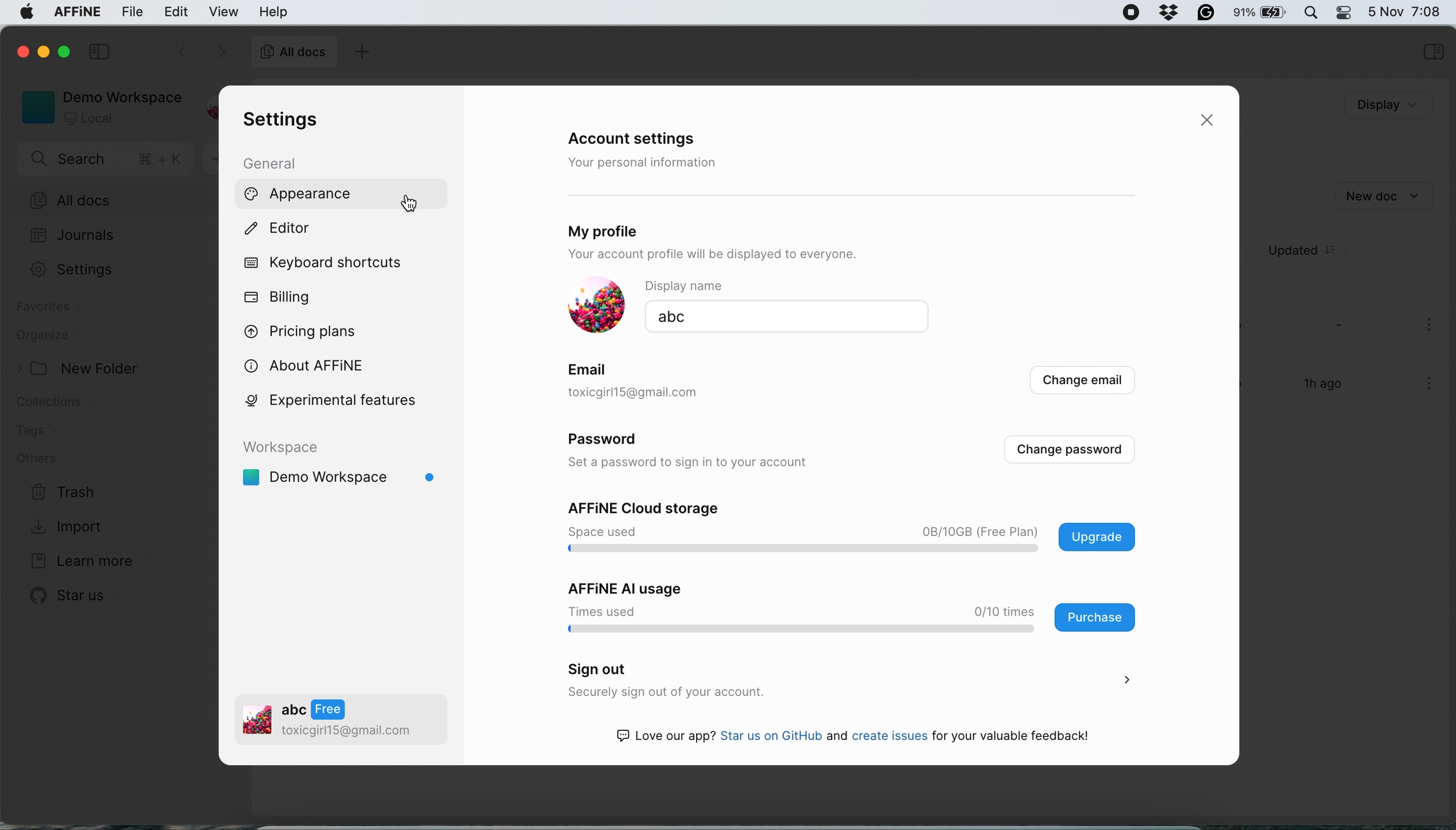 This screenshot has width=1456, height=830. What do you see at coordinates (1132, 13) in the screenshot?
I see `screen recorder` at bounding box center [1132, 13].